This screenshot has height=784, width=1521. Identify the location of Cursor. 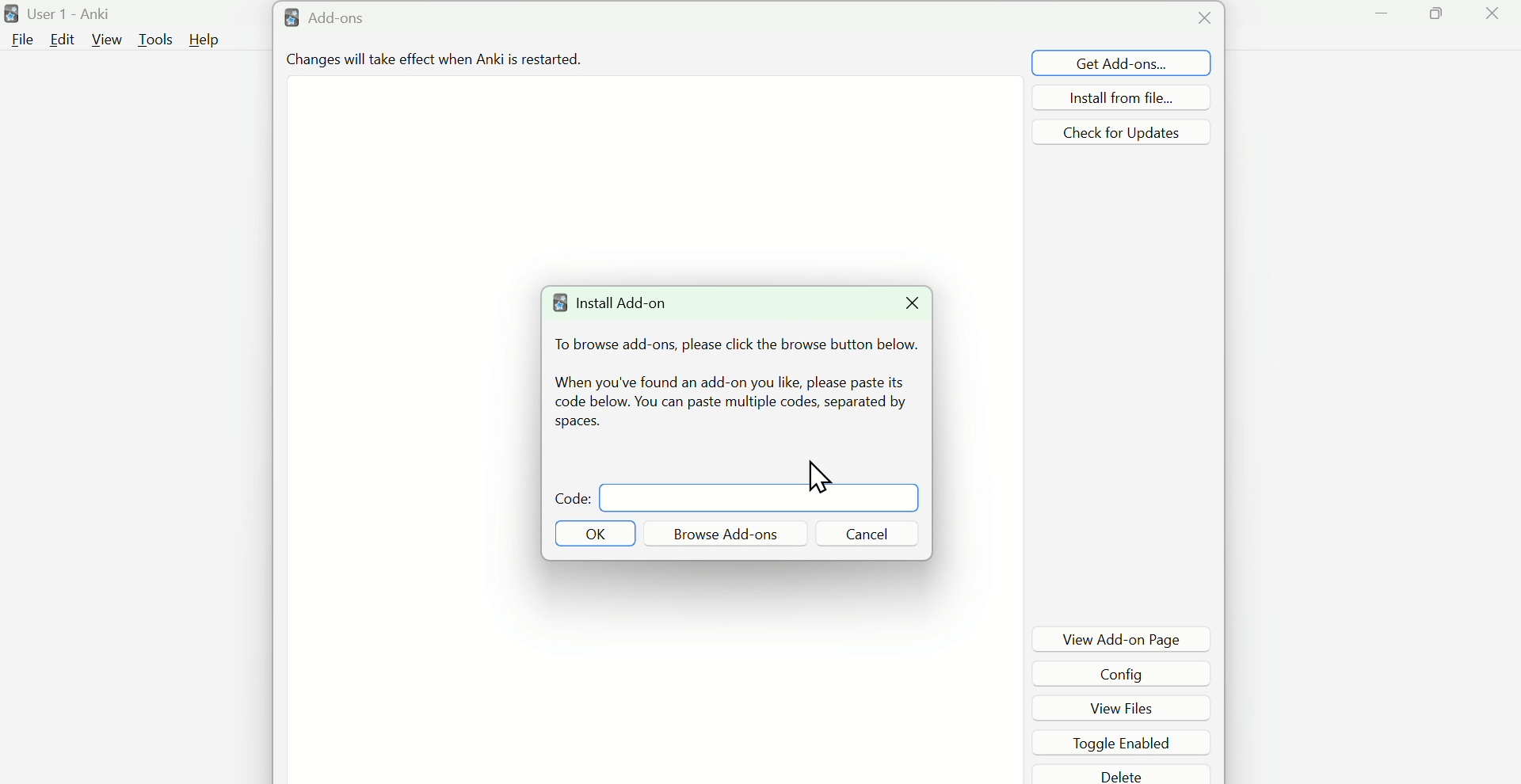
(1076, 97).